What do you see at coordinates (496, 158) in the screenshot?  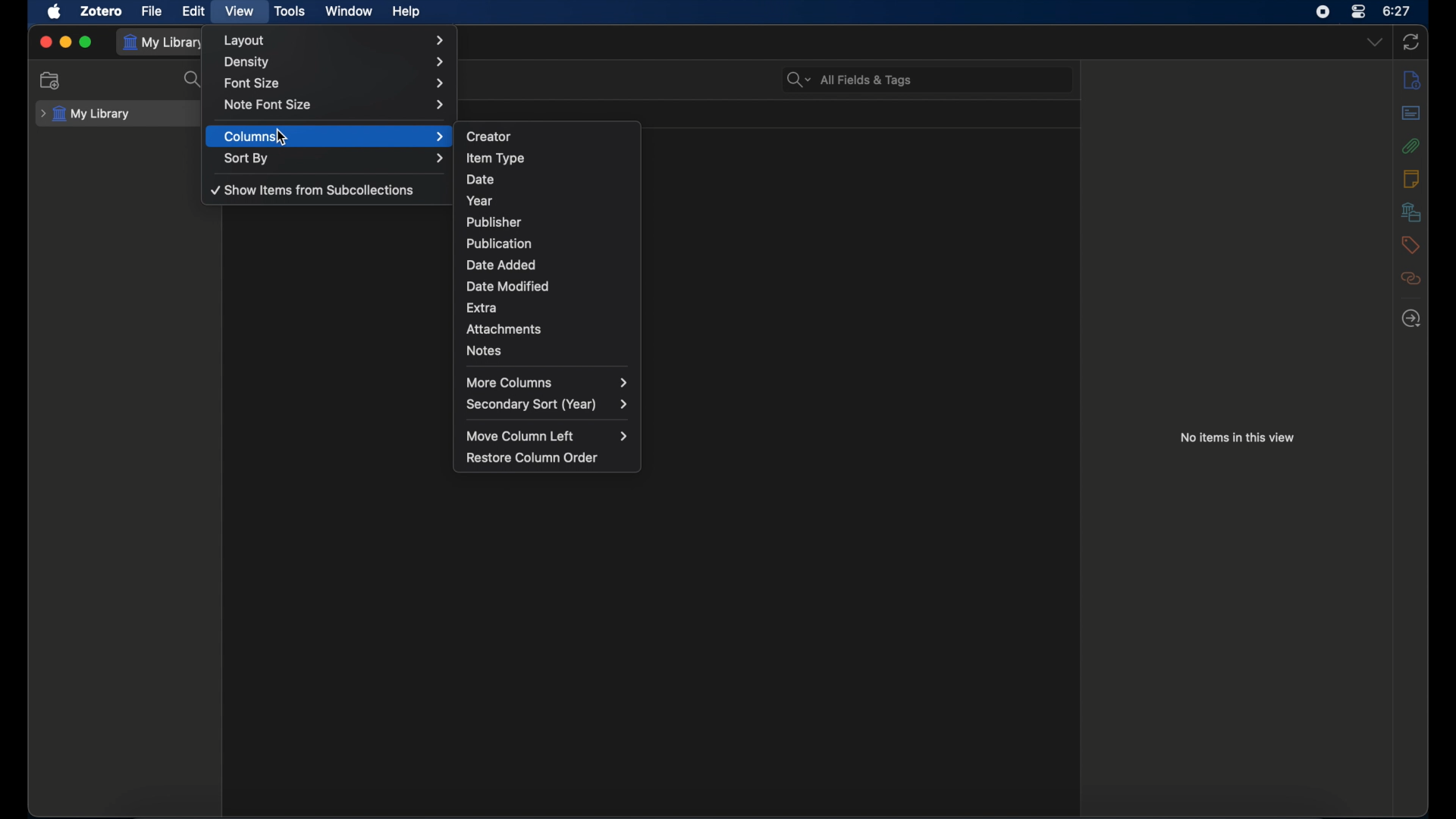 I see `item type` at bounding box center [496, 158].